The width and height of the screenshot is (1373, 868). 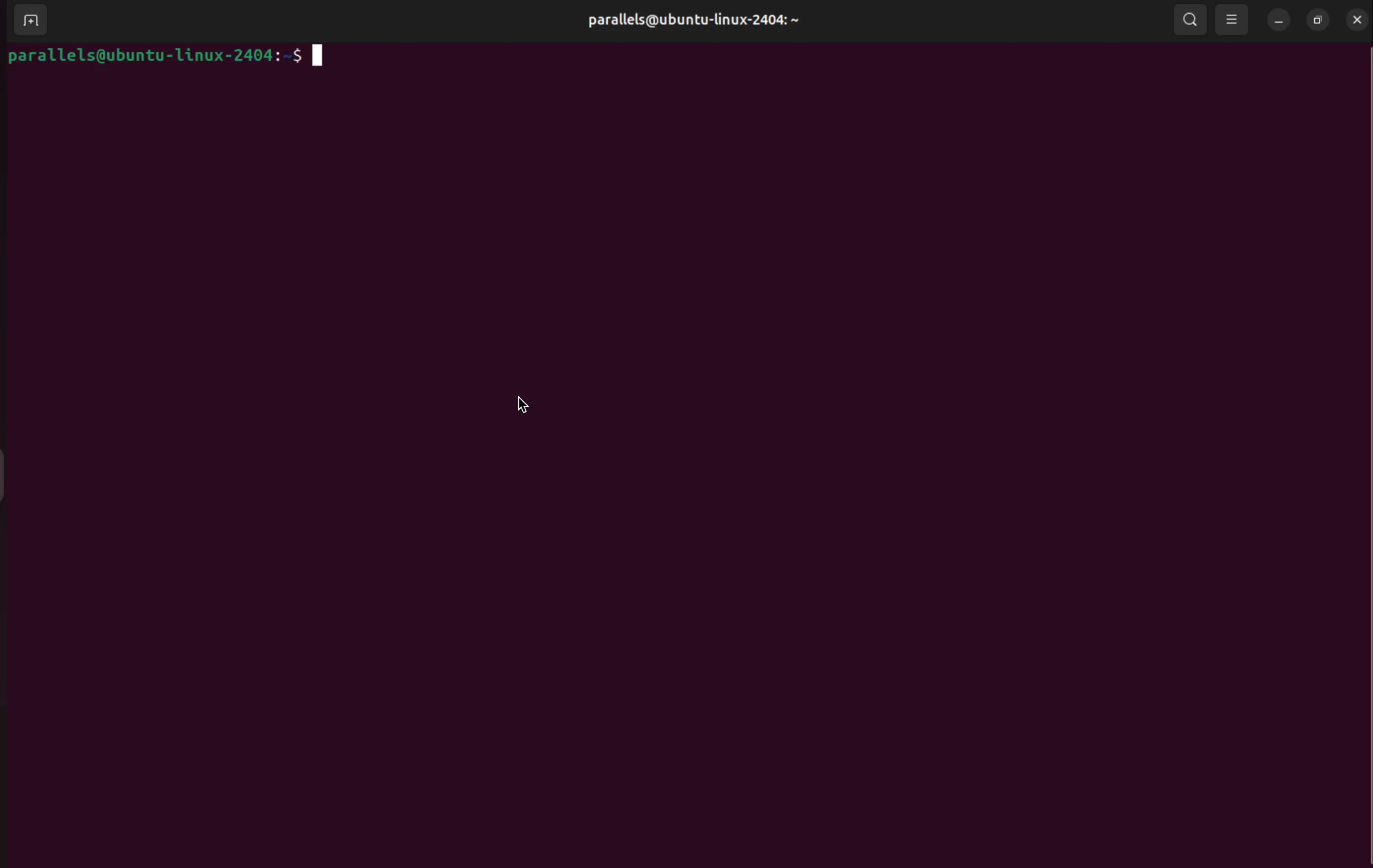 I want to click on resize, so click(x=1318, y=19).